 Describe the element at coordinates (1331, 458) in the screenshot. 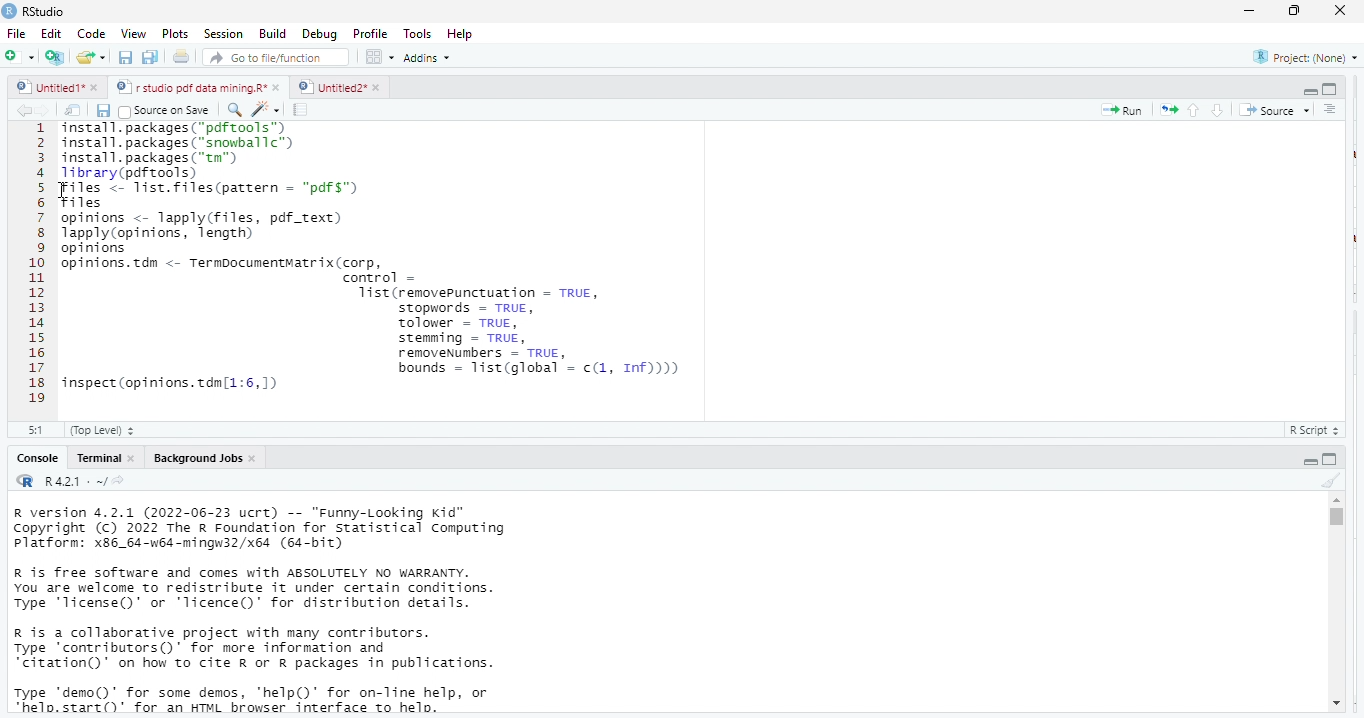

I see `hide console` at that location.